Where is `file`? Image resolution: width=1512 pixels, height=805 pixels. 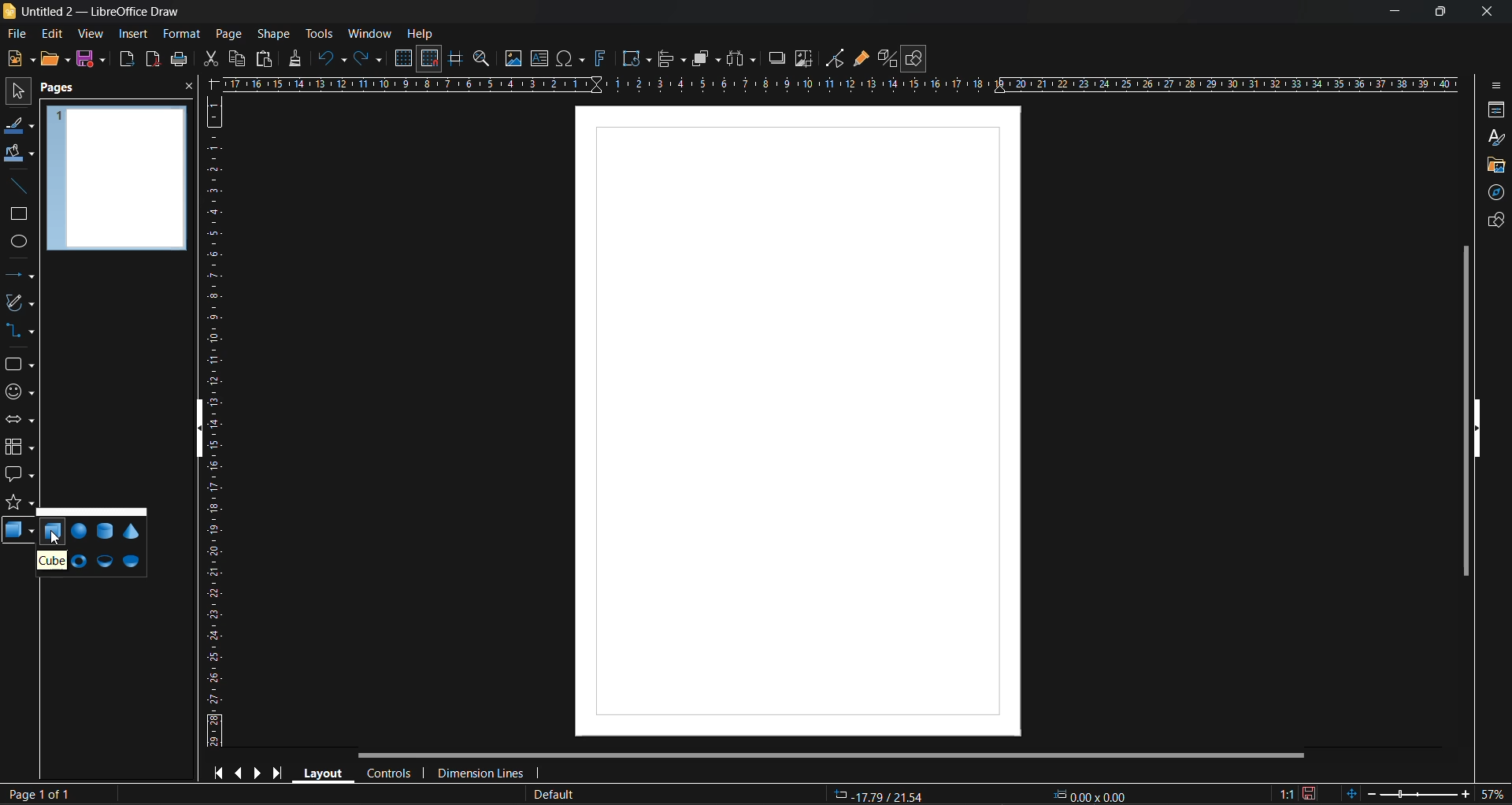
file is located at coordinates (22, 33).